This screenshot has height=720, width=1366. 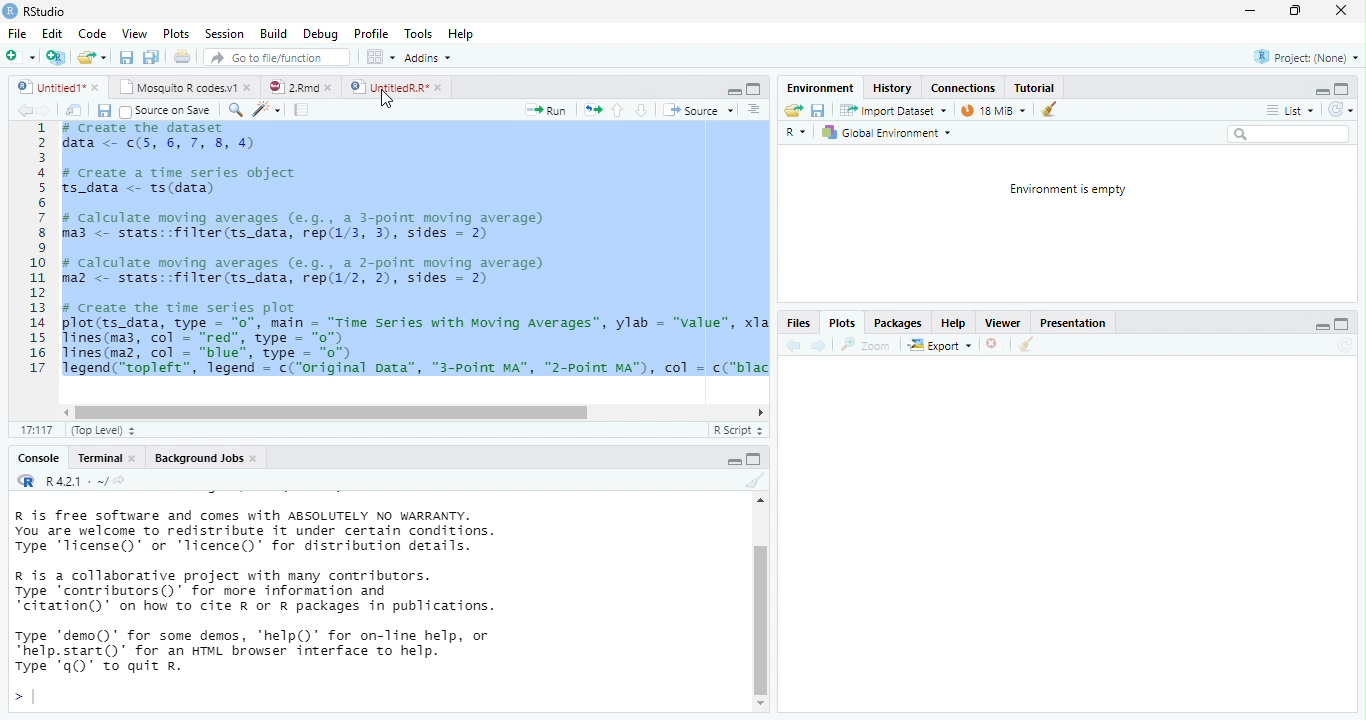 I want to click on Session, so click(x=224, y=33).